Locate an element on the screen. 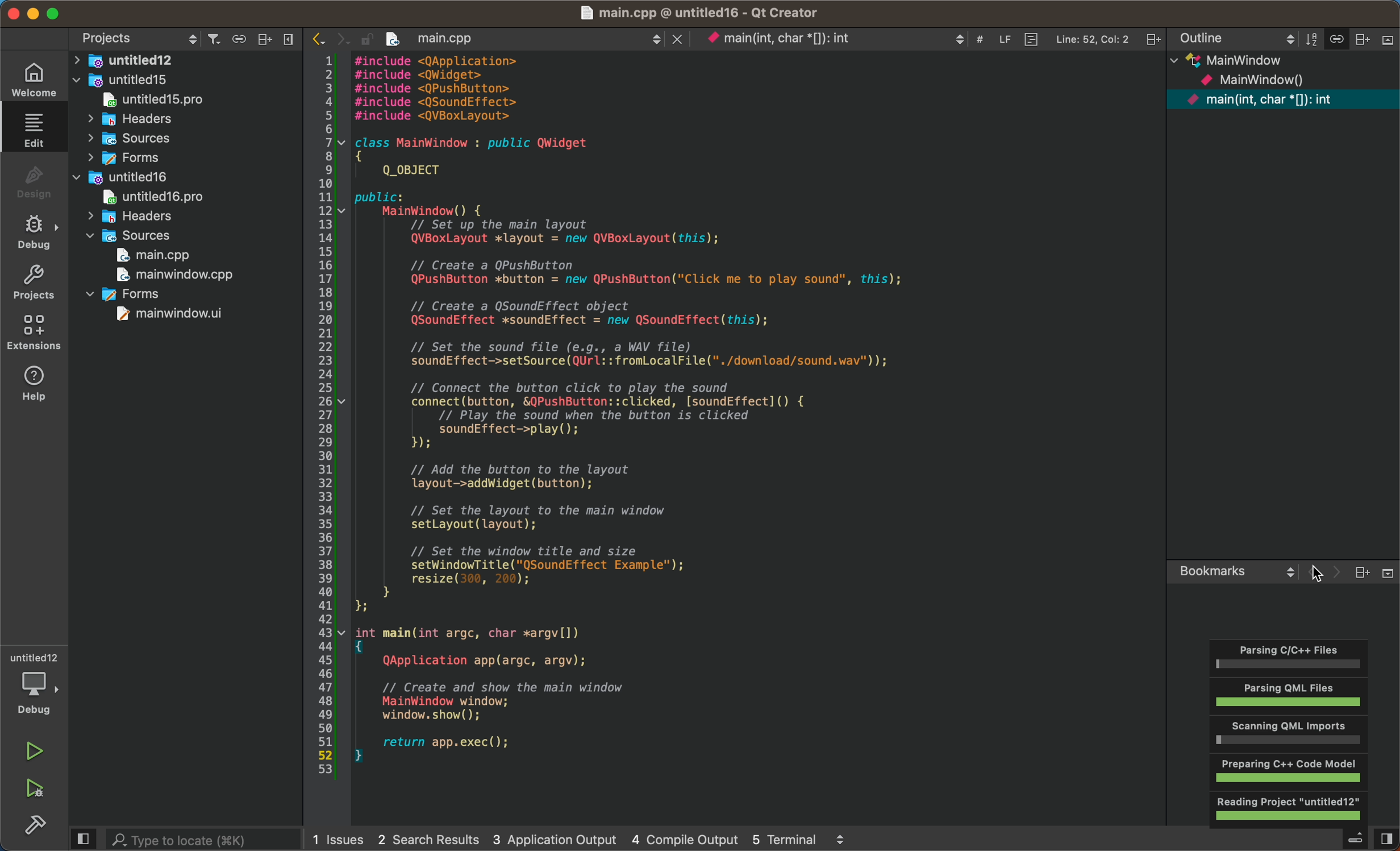 The width and height of the screenshot is (1400, 851). cursor is located at coordinates (1319, 574).